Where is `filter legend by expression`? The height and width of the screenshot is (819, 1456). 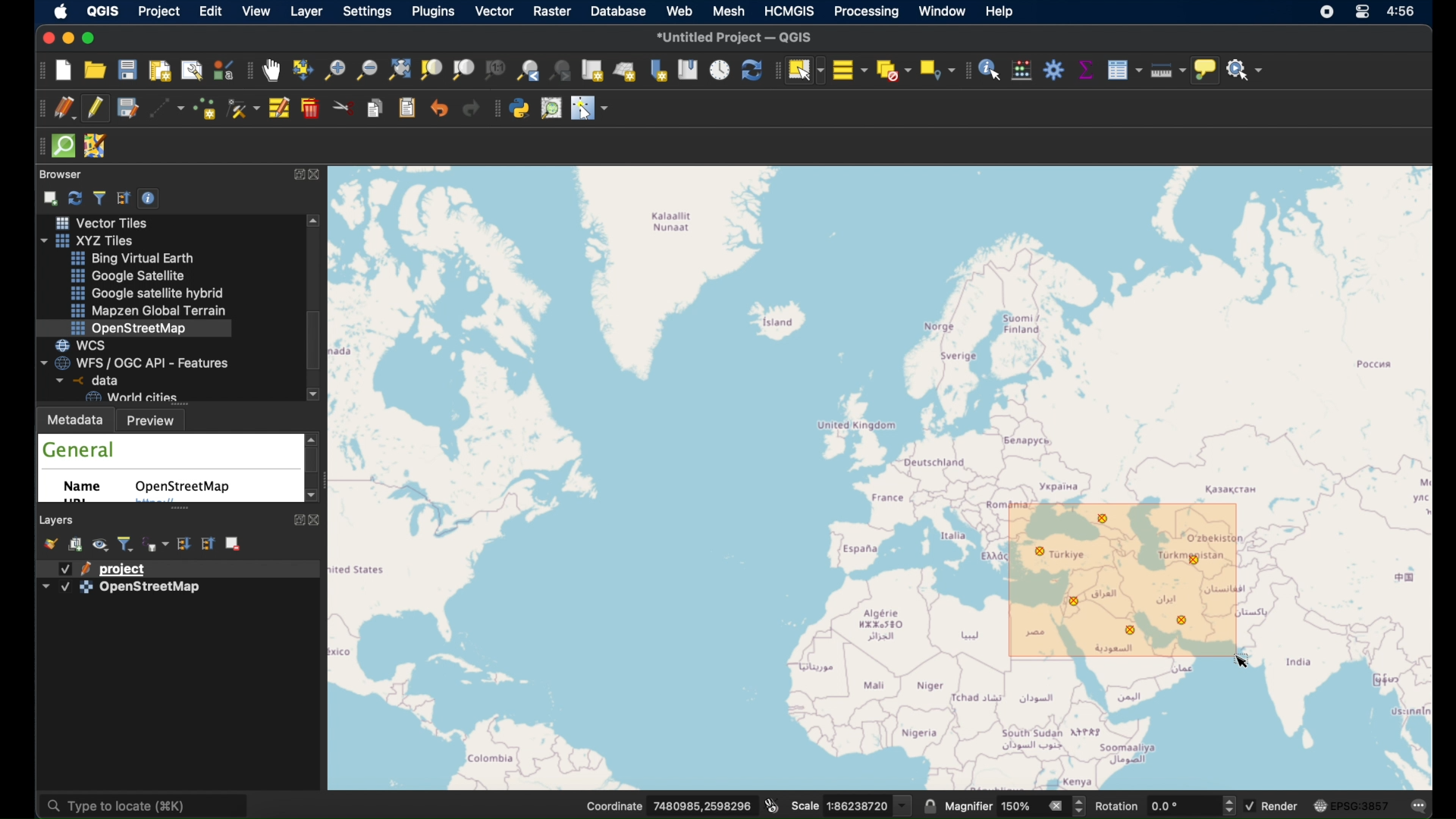
filter legend by expression is located at coordinates (156, 543).